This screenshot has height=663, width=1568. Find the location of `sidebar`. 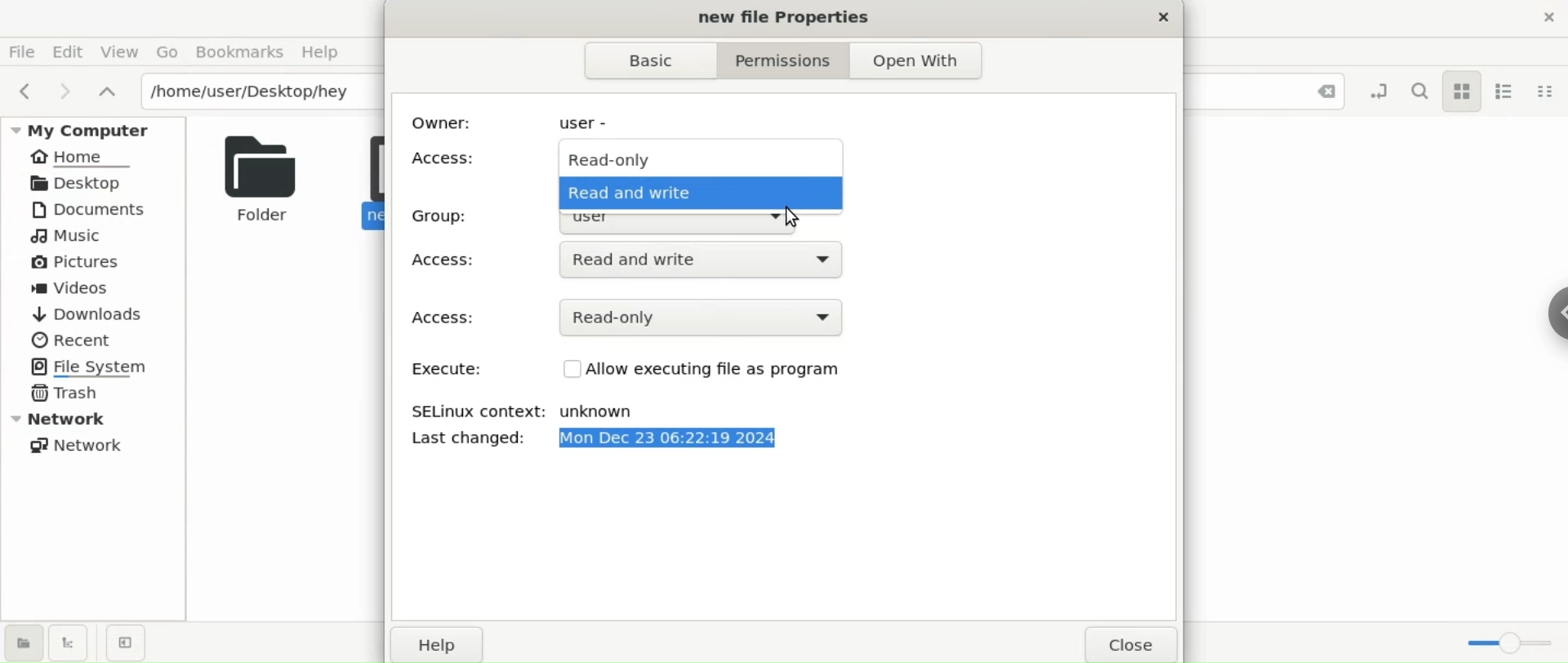

sidebar is located at coordinates (1553, 309).